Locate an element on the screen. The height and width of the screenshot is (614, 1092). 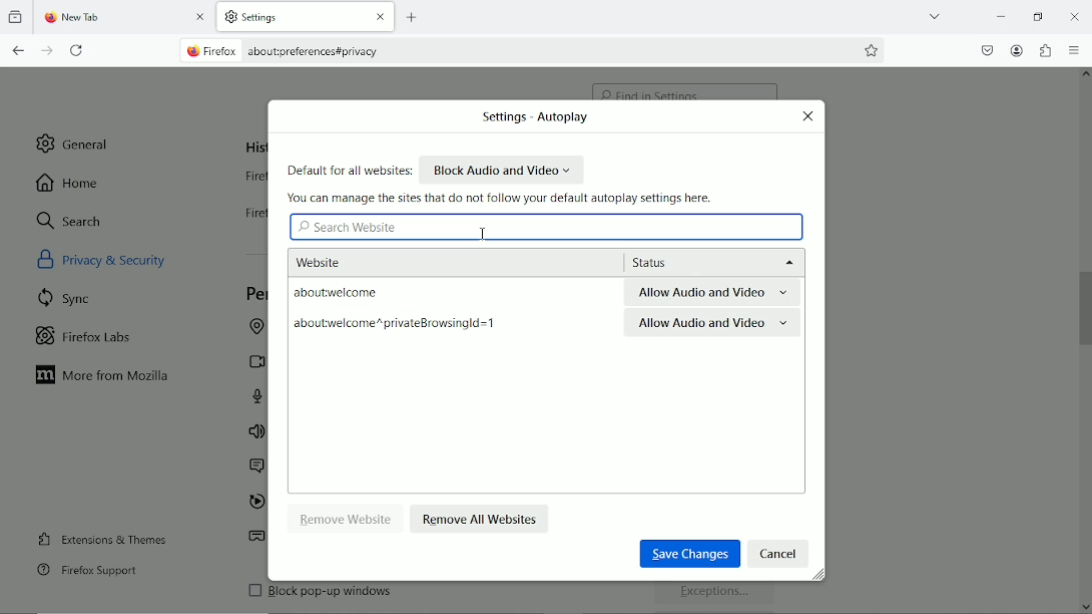
search website is located at coordinates (348, 228).